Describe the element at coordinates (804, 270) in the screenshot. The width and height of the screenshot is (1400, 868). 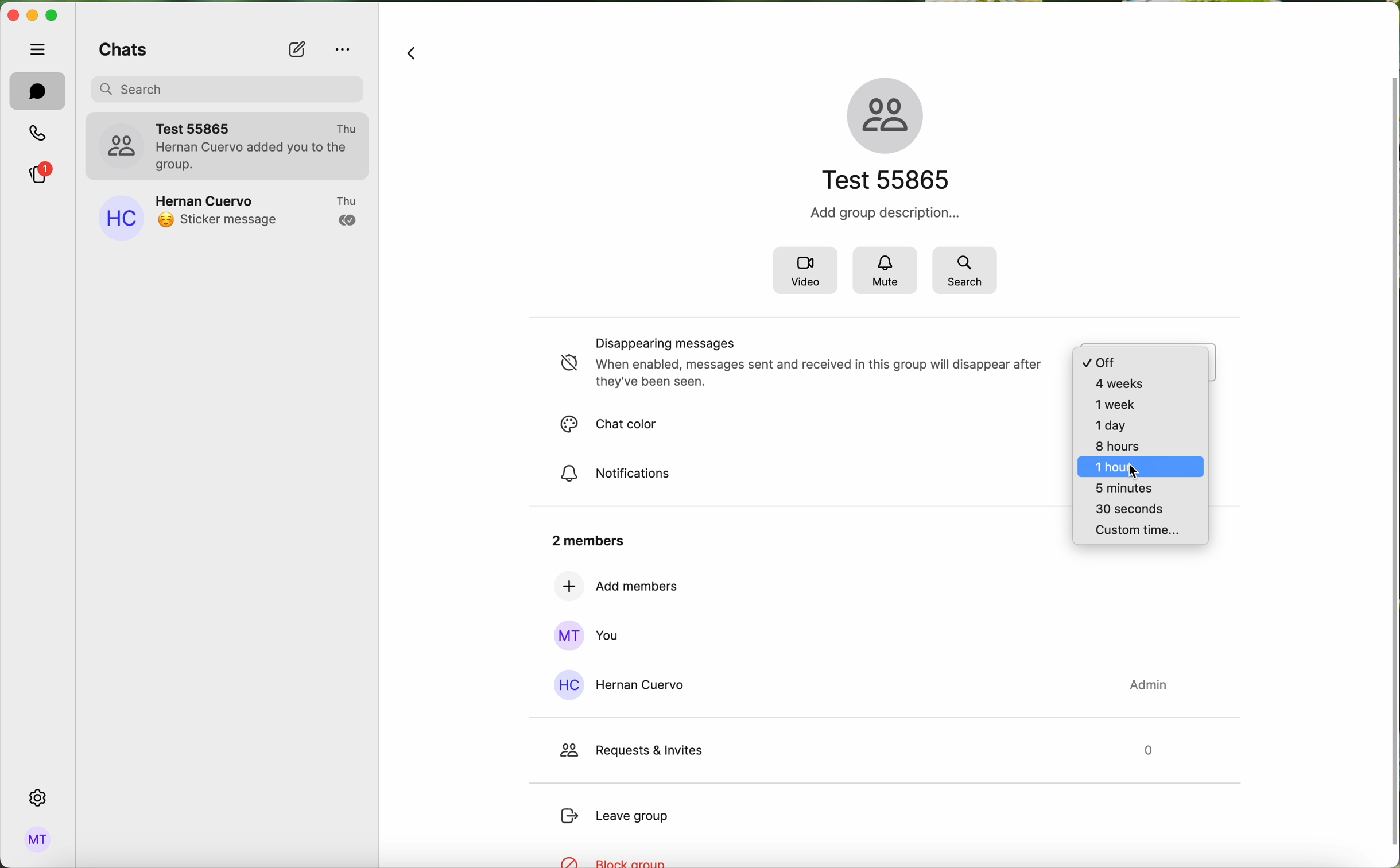
I see `video` at that location.